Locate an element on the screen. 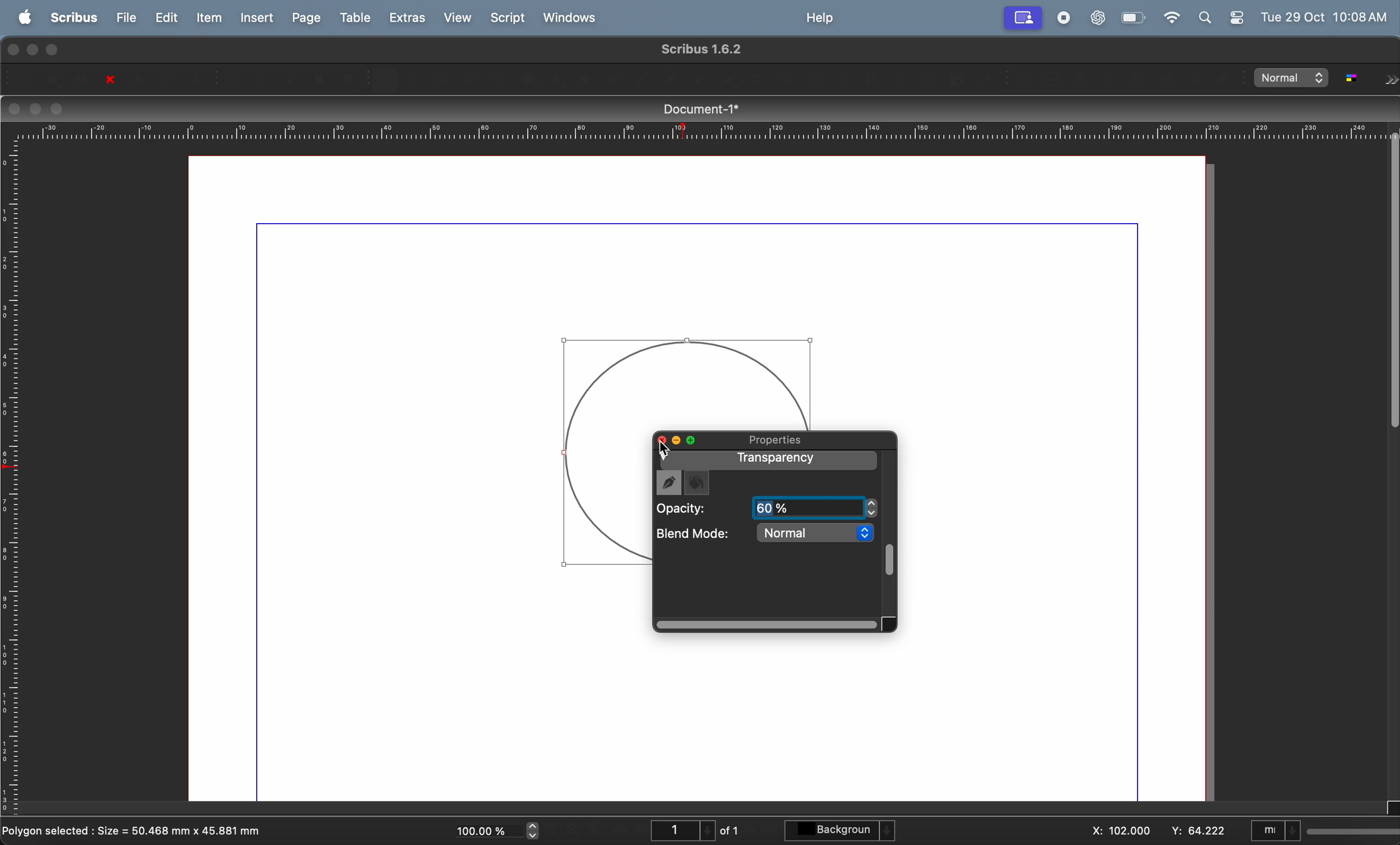 This screenshot has width=1400, height=845. record is located at coordinates (1062, 19).